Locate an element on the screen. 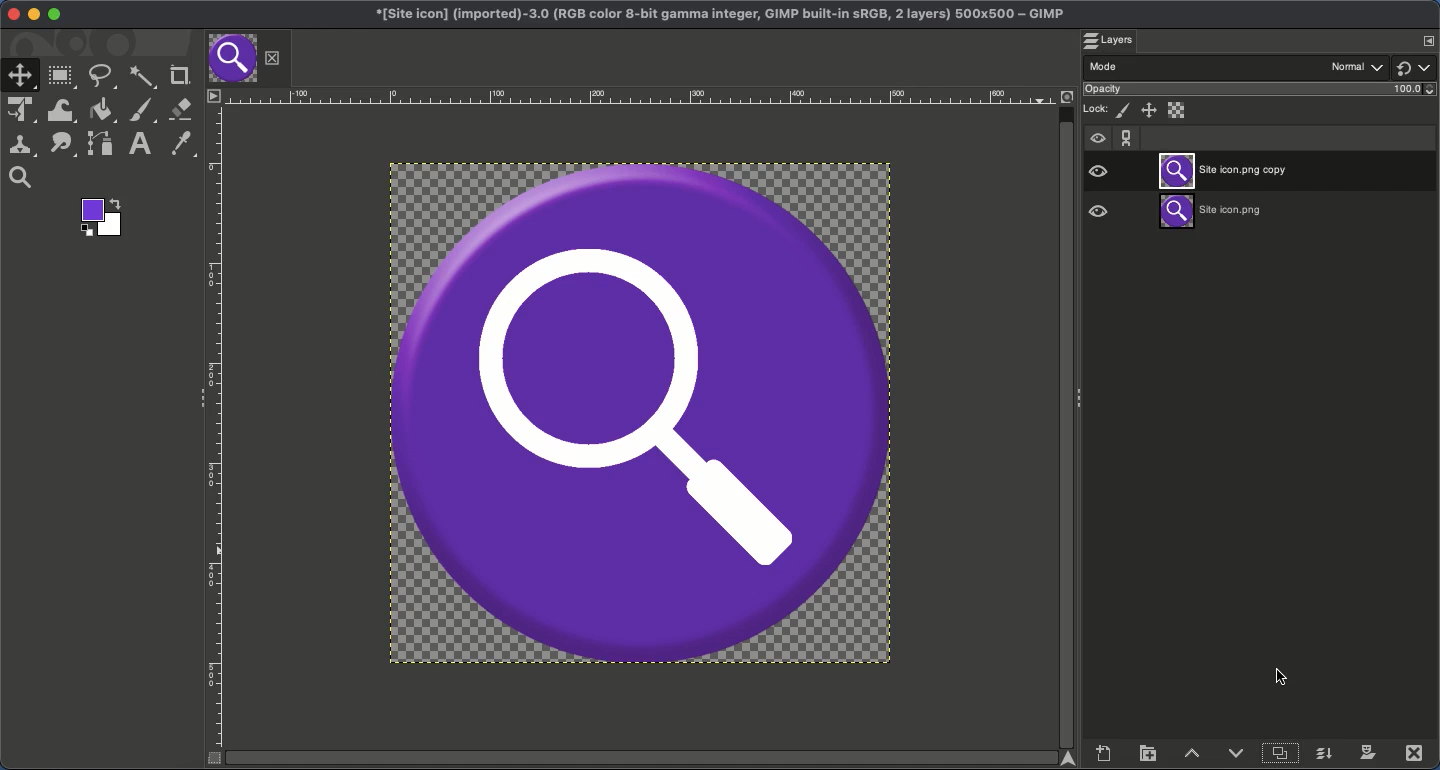 The height and width of the screenshot is (770, 1440). Normal is located at coordinates (1358, 65).